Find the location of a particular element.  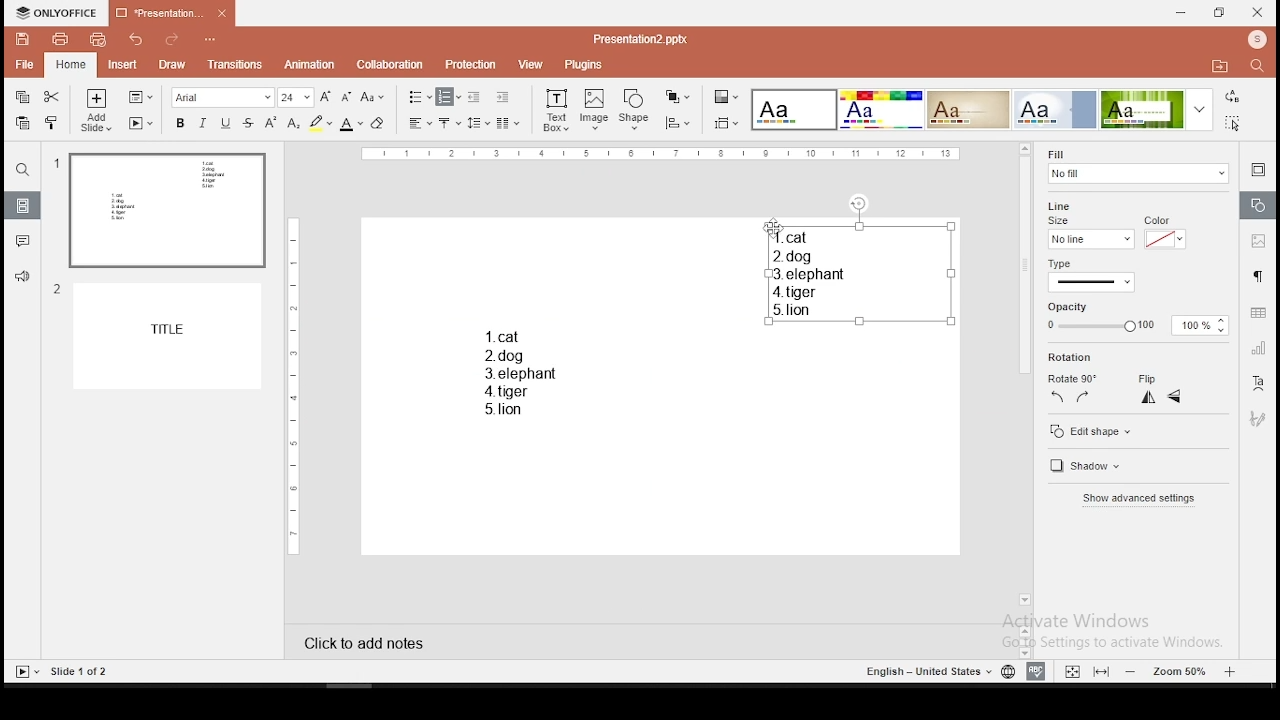

language is located at coordinates (1006, 670).